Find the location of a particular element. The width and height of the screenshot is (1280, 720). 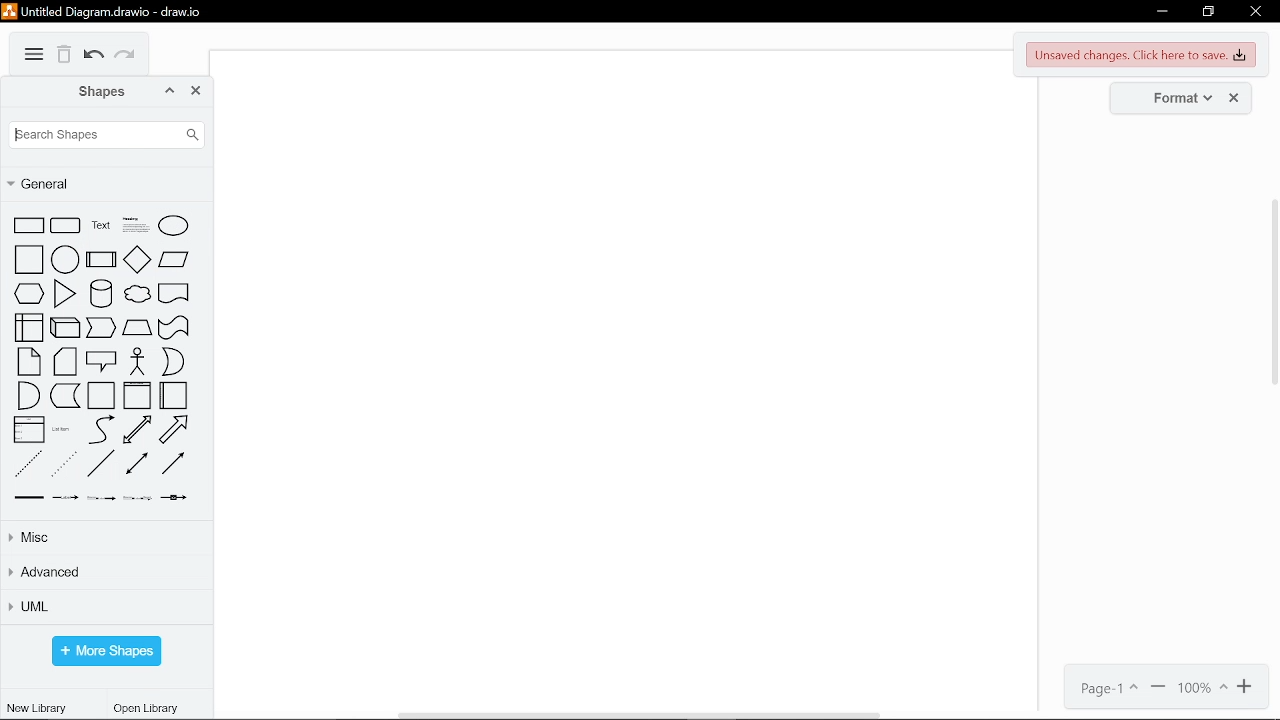

new library is located at coordinates (36, 707).